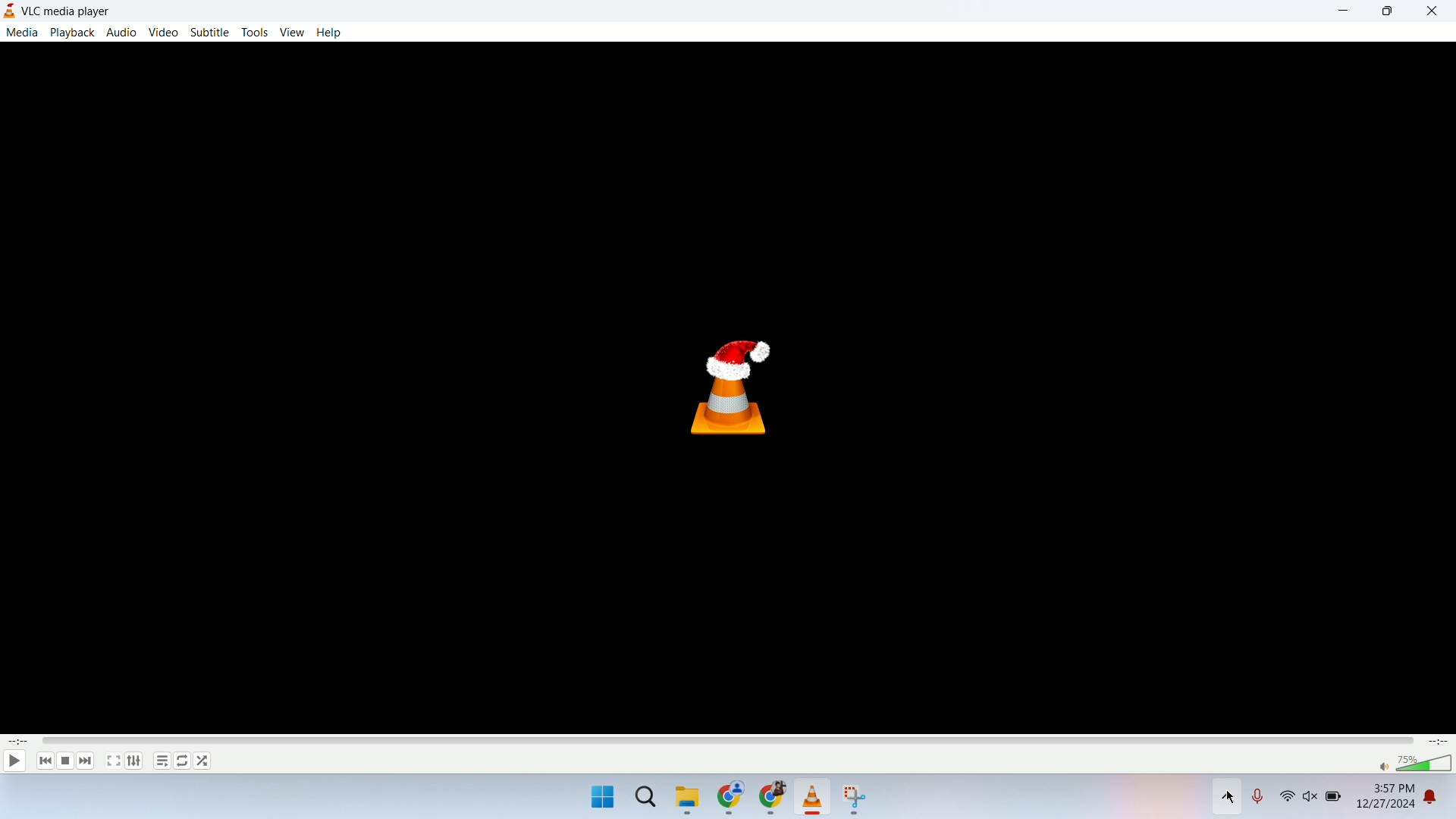  I want to click on mouse cursor, so click(1229, 797).